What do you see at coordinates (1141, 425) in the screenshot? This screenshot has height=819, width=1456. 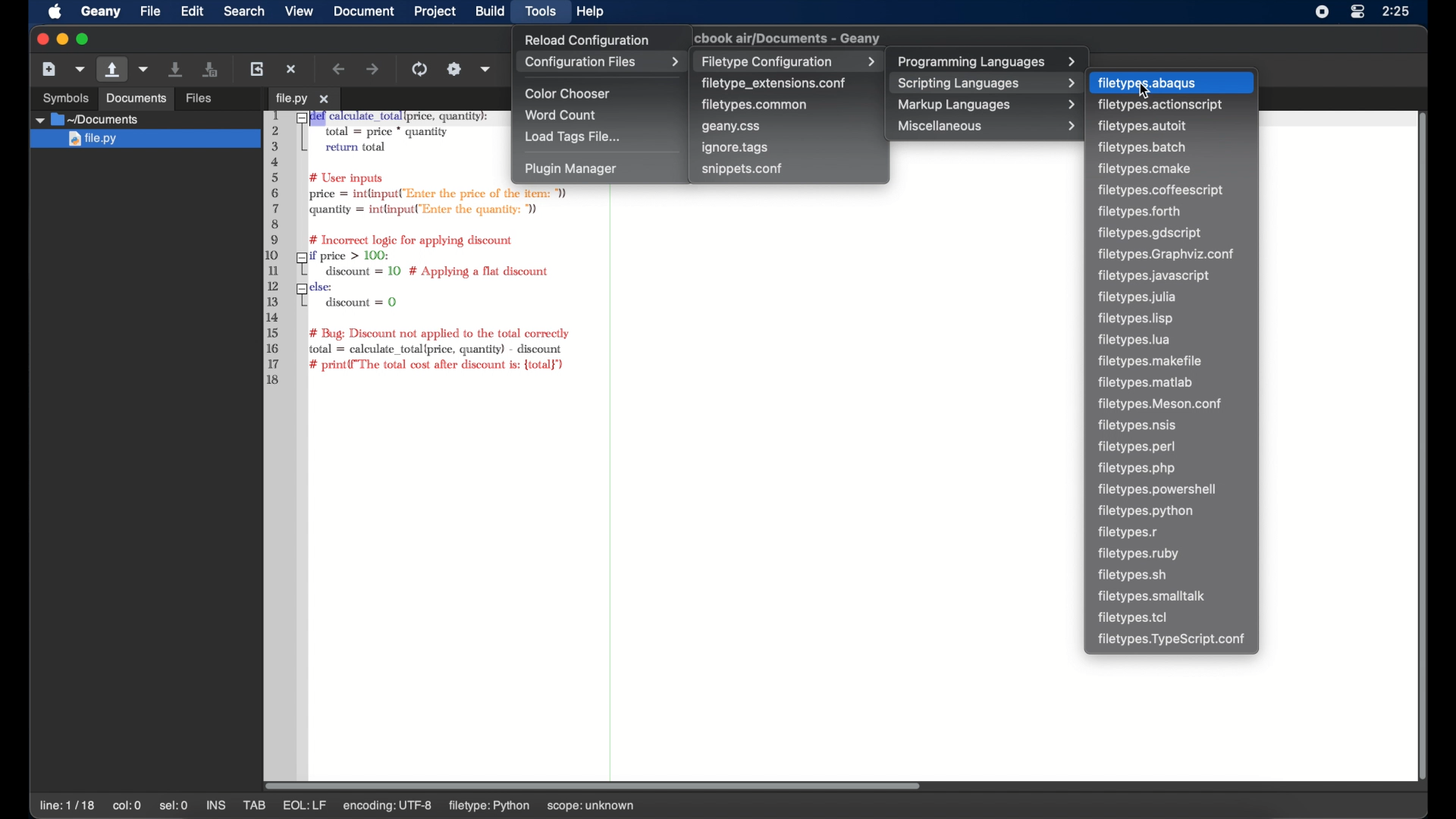 I see `filetypes` at bounding box center [1141, 425].